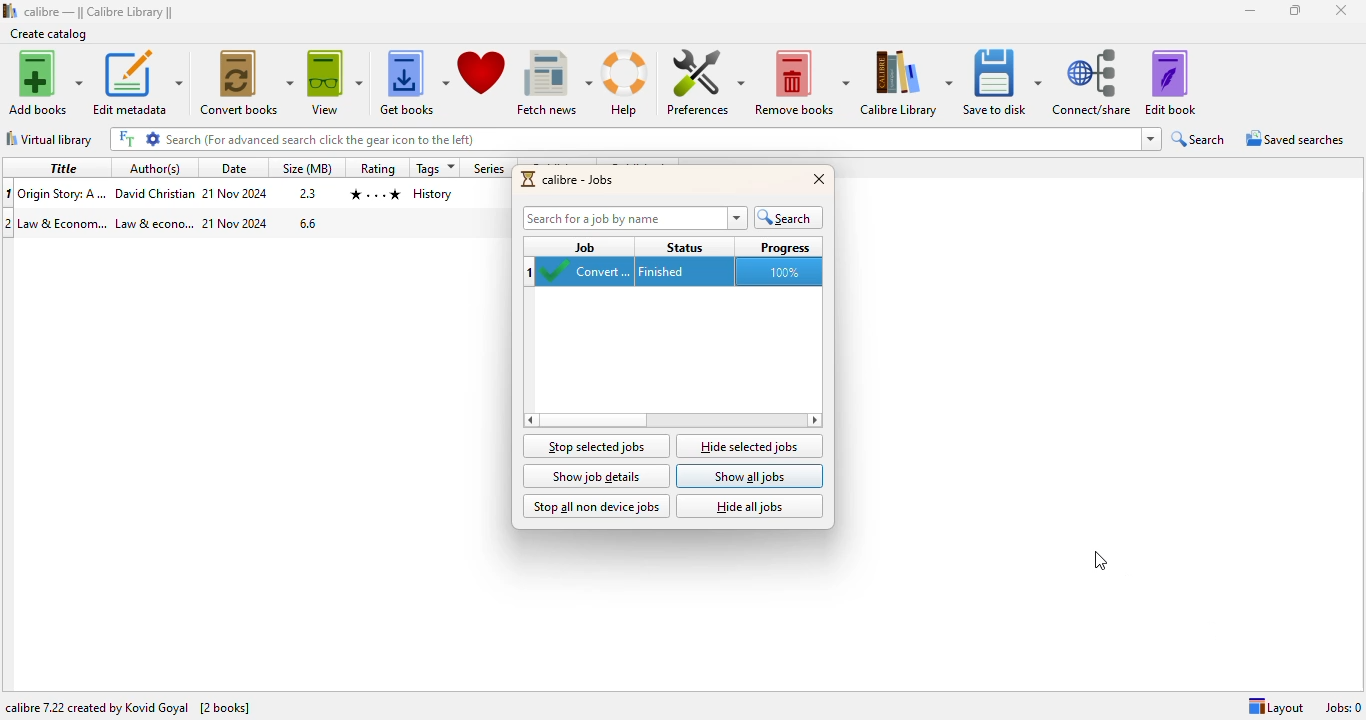 The width and height of the screenshot is (1366, 720). I want to click on view, so click(335, 82).